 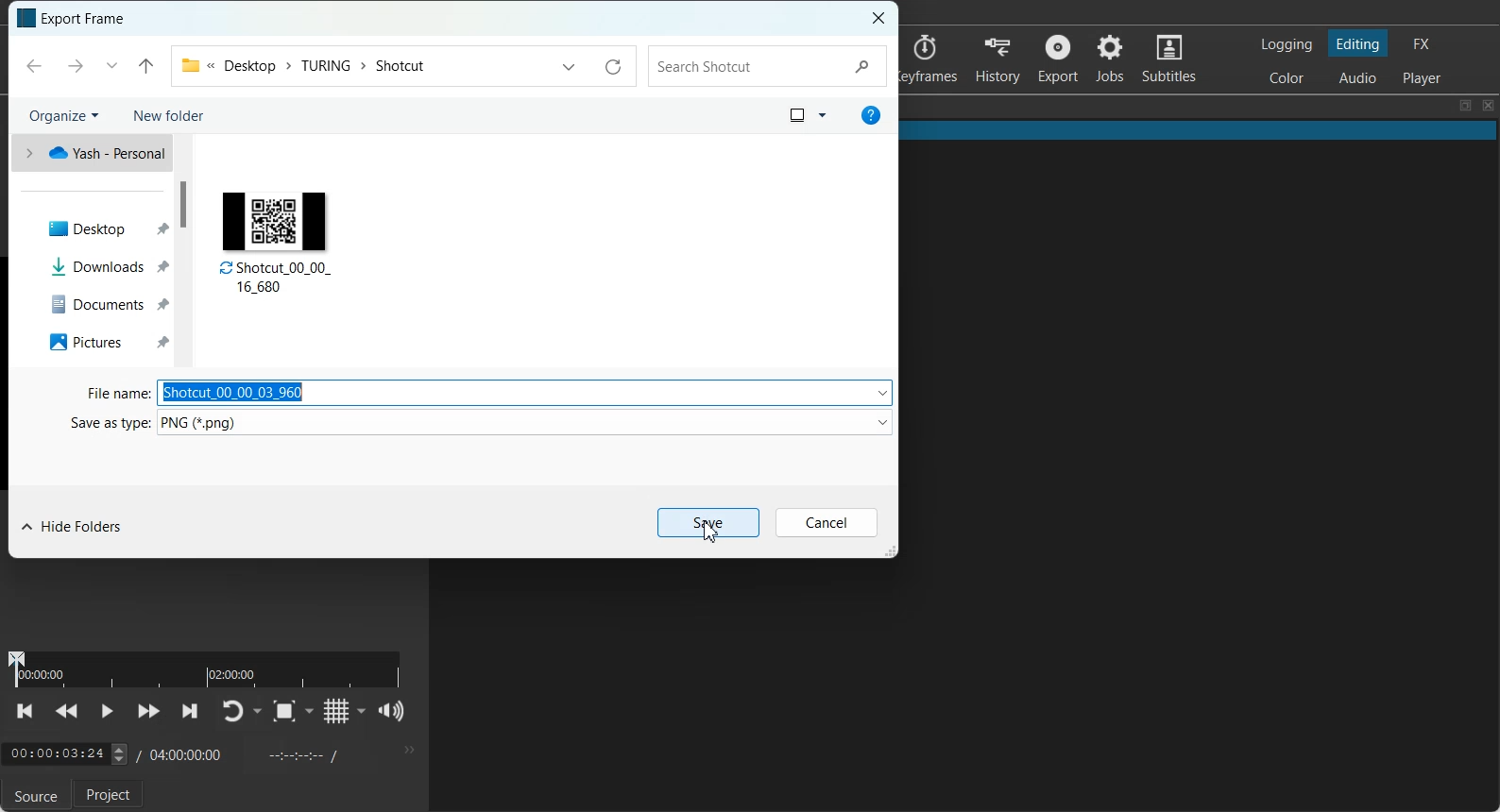 I want to click on Toggle Play or Pause, so click(x=105, y=713).